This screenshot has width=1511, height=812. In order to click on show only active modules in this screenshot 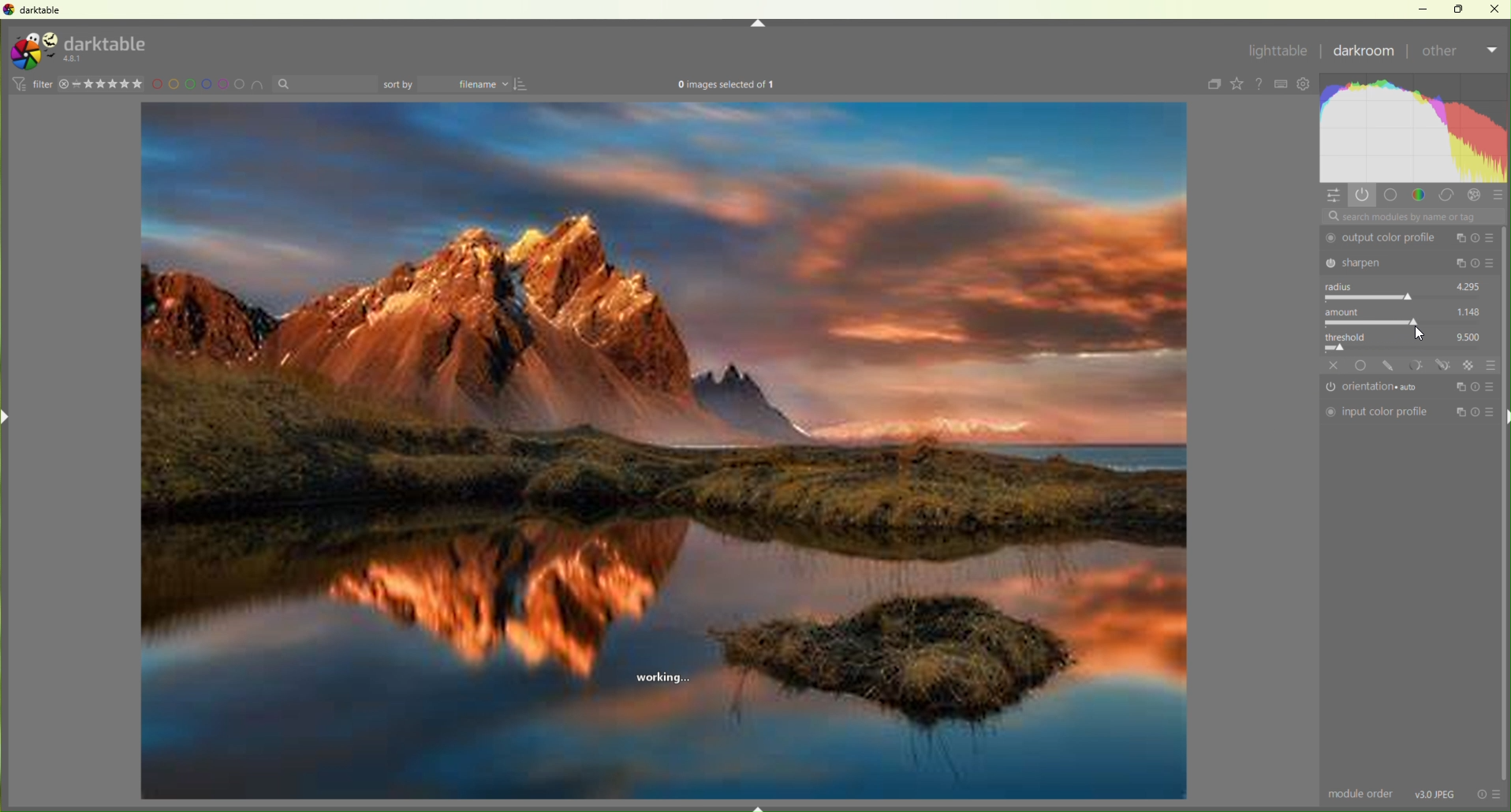, I will do `click(1364, 195)`.